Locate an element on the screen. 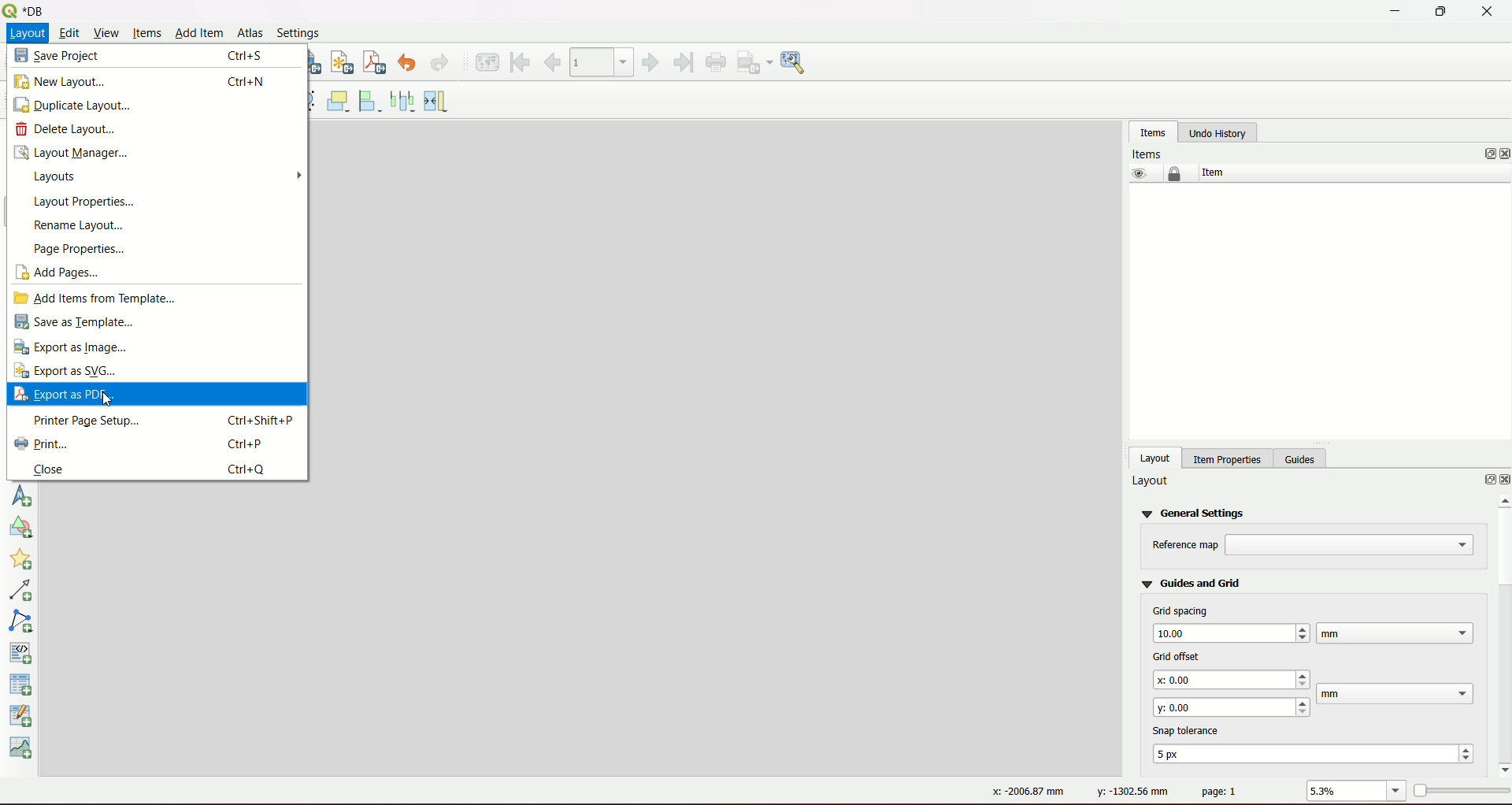 This screenshot has width=1512, height=805. save project is located at coordinates (57, 54).